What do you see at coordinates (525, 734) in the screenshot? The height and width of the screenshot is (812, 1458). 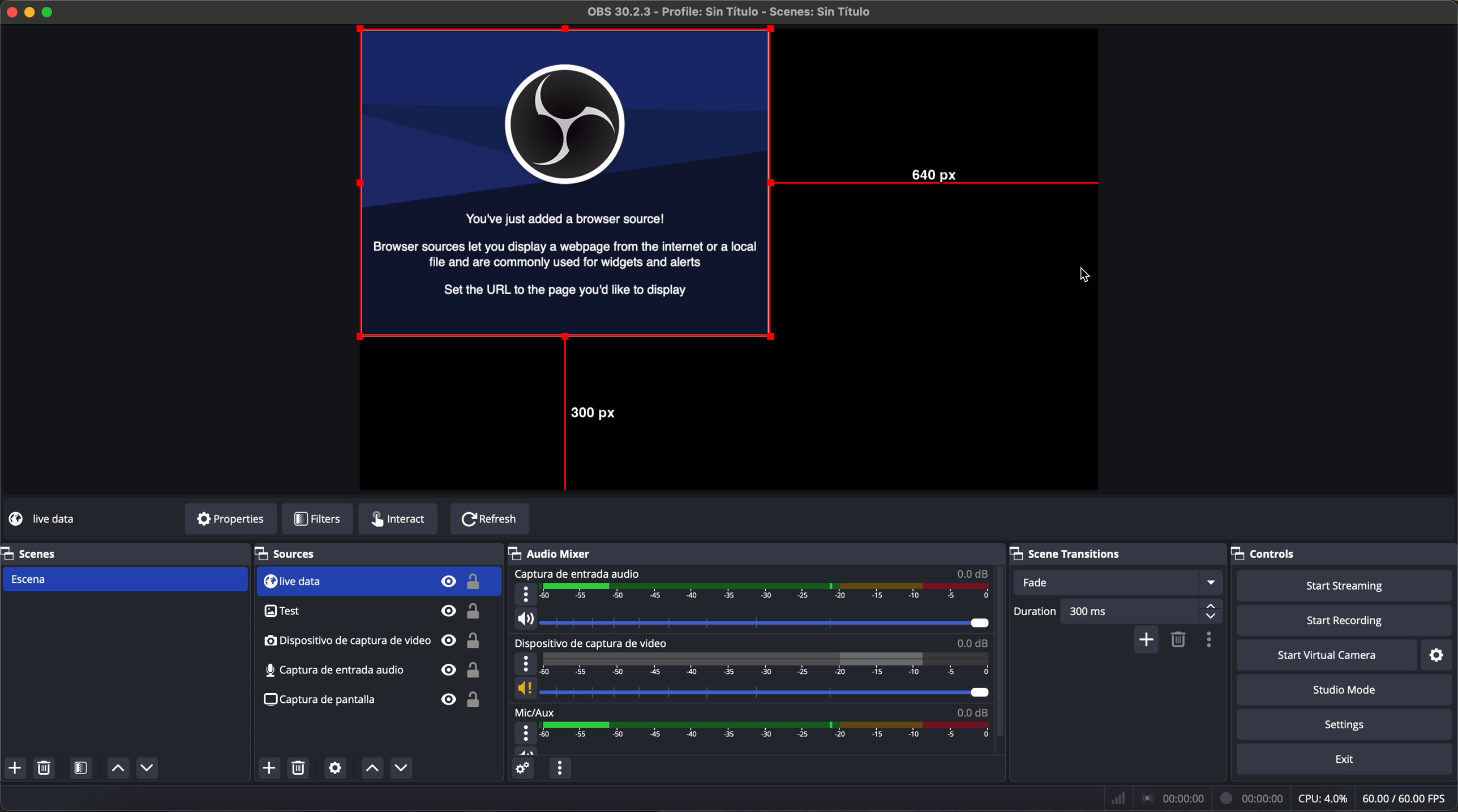 I see `more options` at bounding box center [525, 734].